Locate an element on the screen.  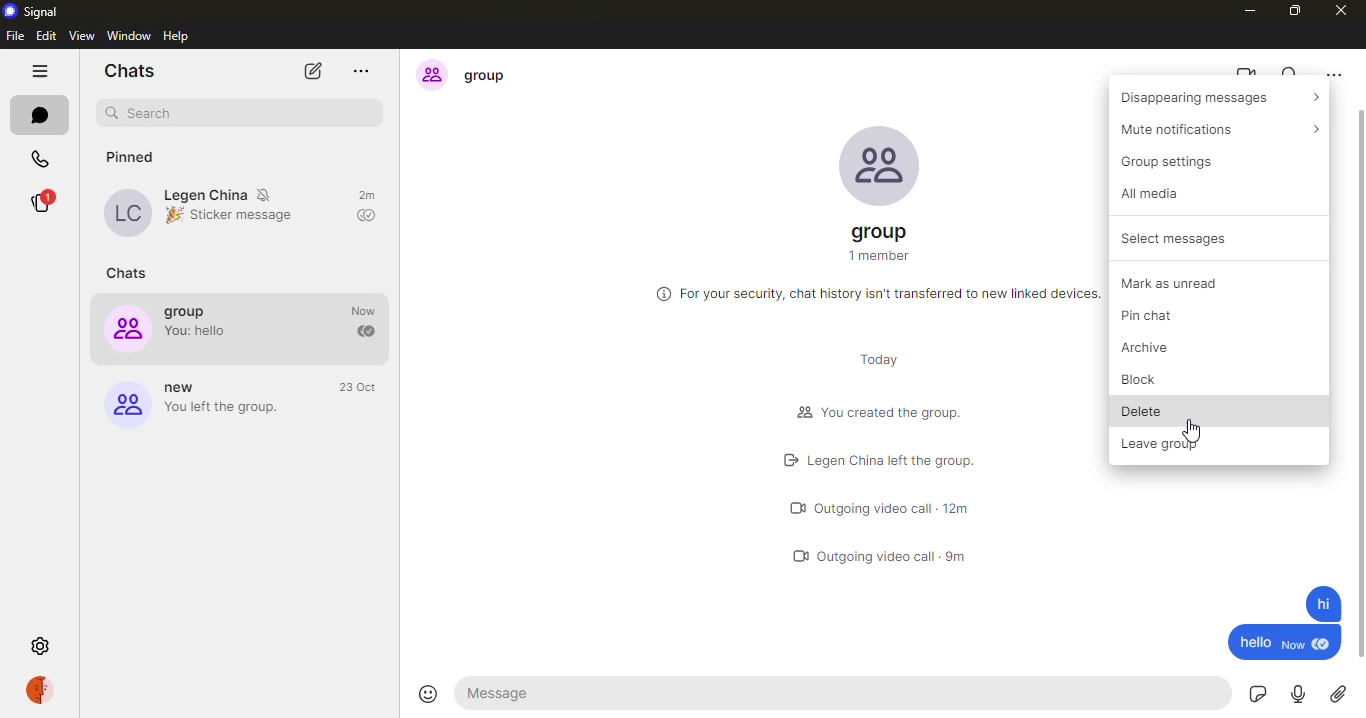
video call logo is located at coordinates (800, 557).